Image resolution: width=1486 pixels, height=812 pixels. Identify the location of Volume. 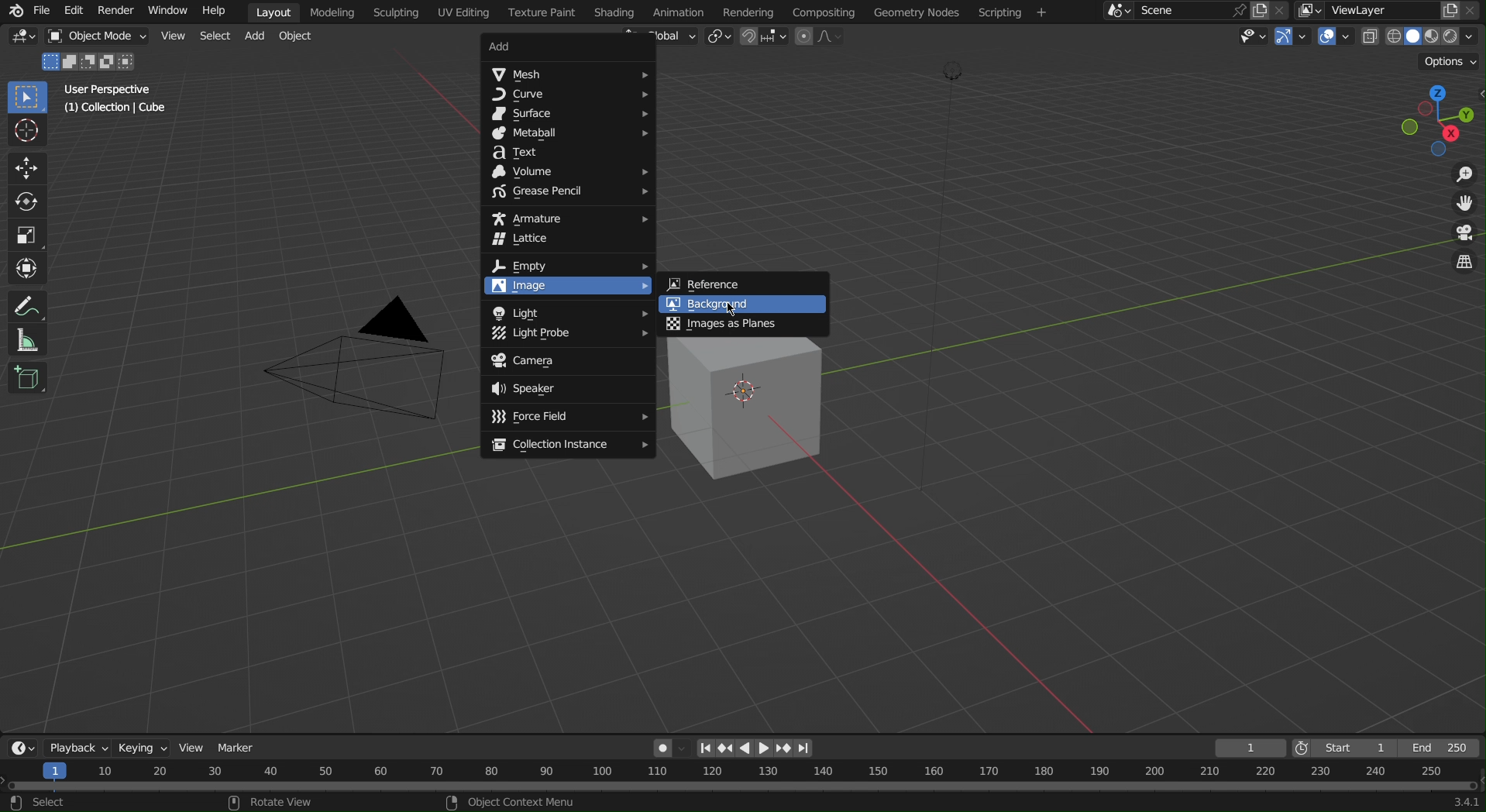
(568, 174).